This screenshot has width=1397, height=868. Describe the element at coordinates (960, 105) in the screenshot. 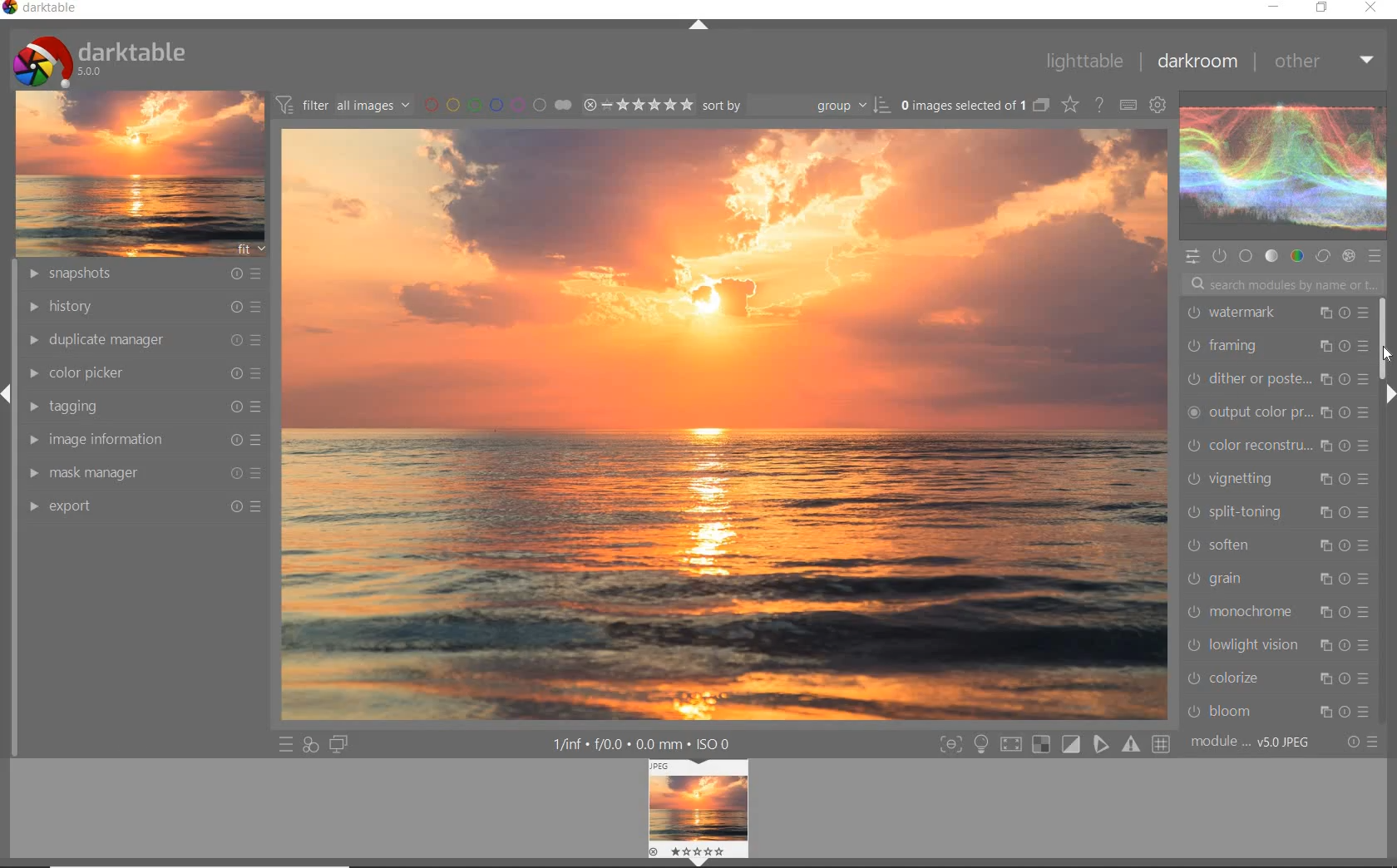

I see `SELSECTED IMAGE` at that location.